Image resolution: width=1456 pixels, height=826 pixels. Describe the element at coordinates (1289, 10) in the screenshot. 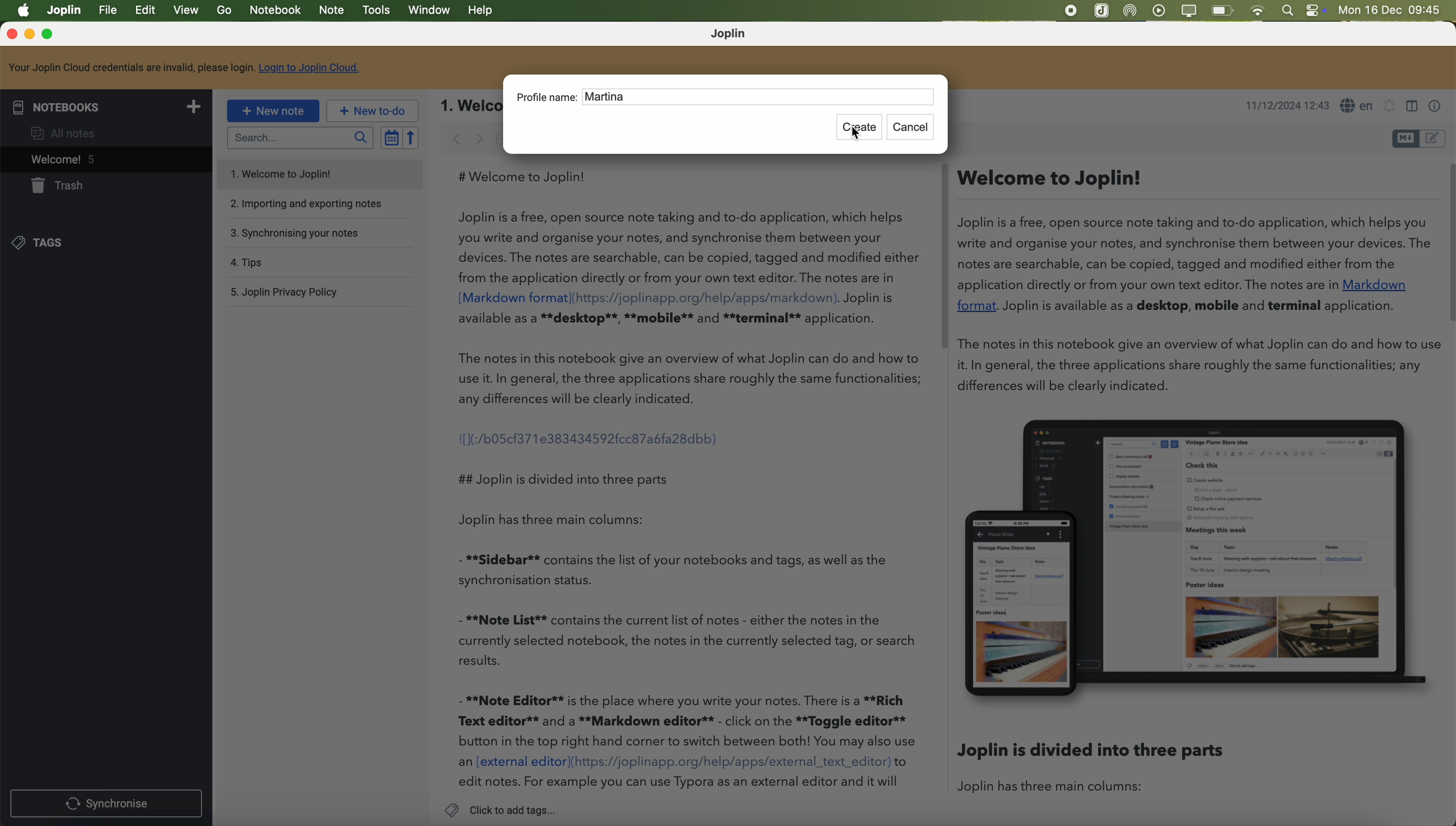

I see `spotlight search` at that location.